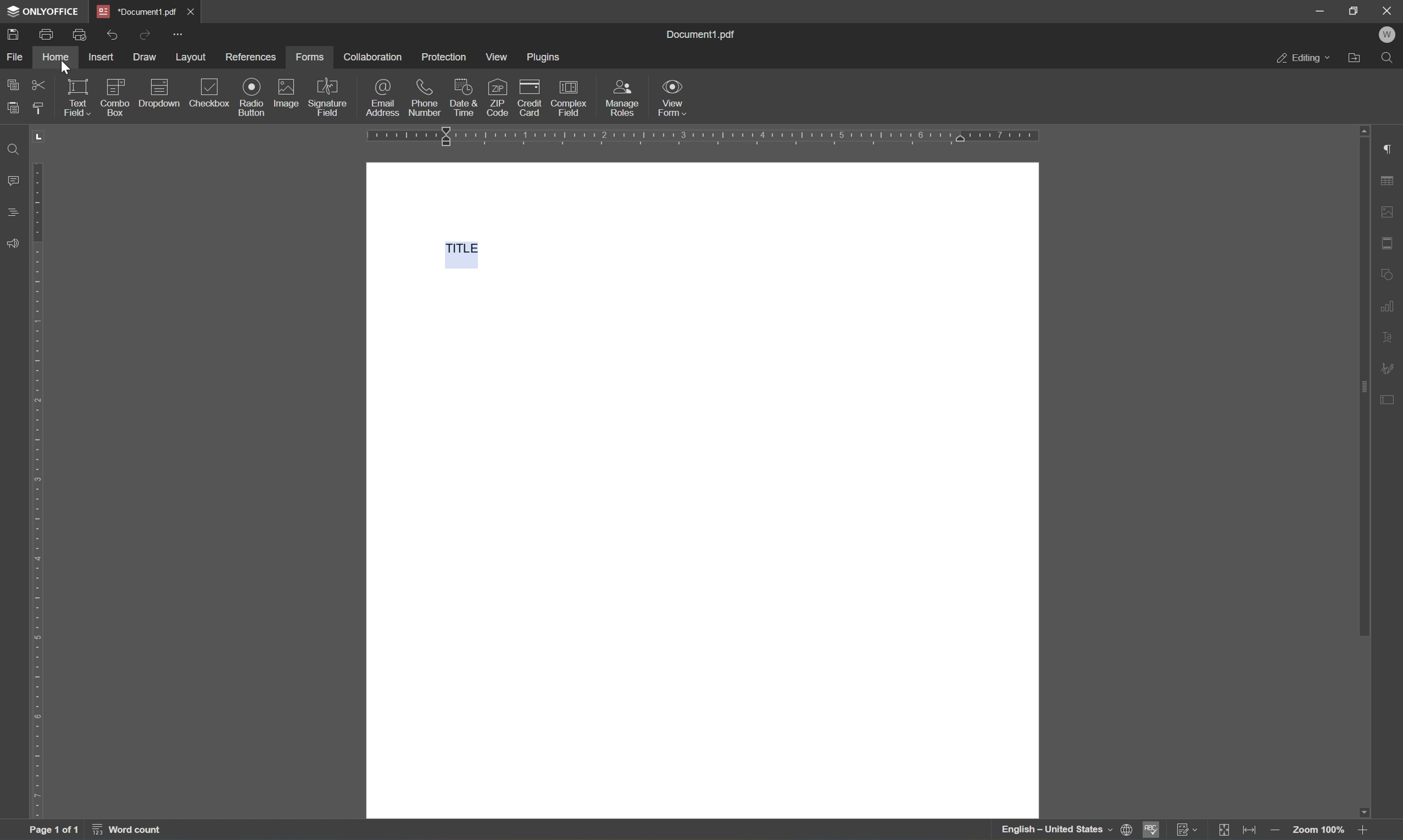 This screenshot has width=1403, height=840. I want to click on document1.pdf, so click(703, 35).